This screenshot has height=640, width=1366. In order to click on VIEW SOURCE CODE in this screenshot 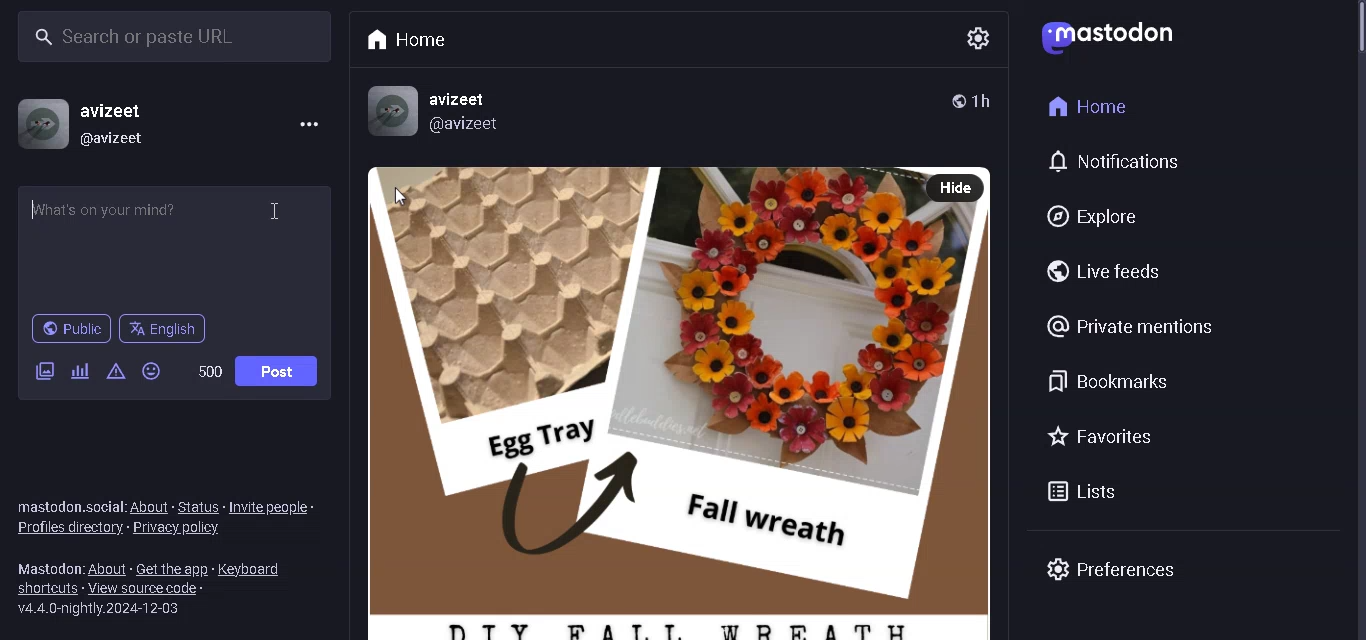, I will do `click(151, 591)`.